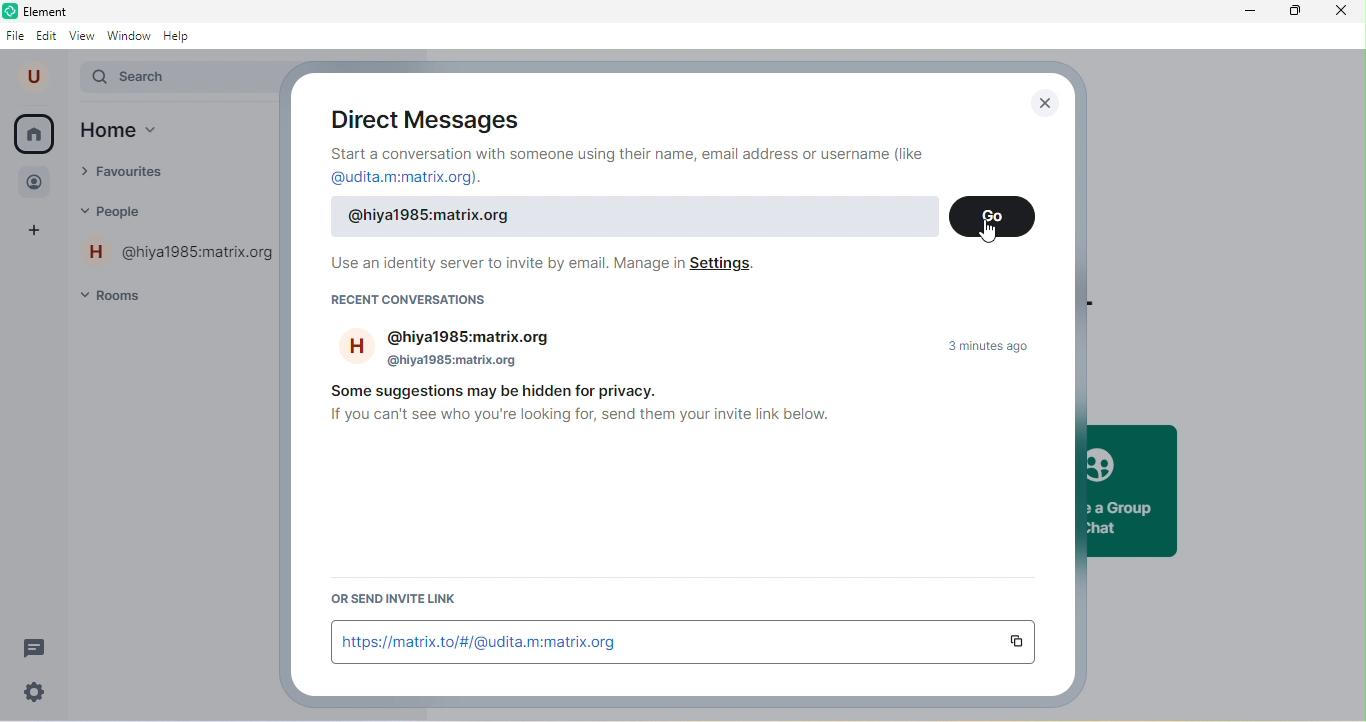 This screenshot has height=722, width=1366. What do you see at coordinates (140, 174) in the screenshot?
I see `favourites` at bounding box center [140, 174].